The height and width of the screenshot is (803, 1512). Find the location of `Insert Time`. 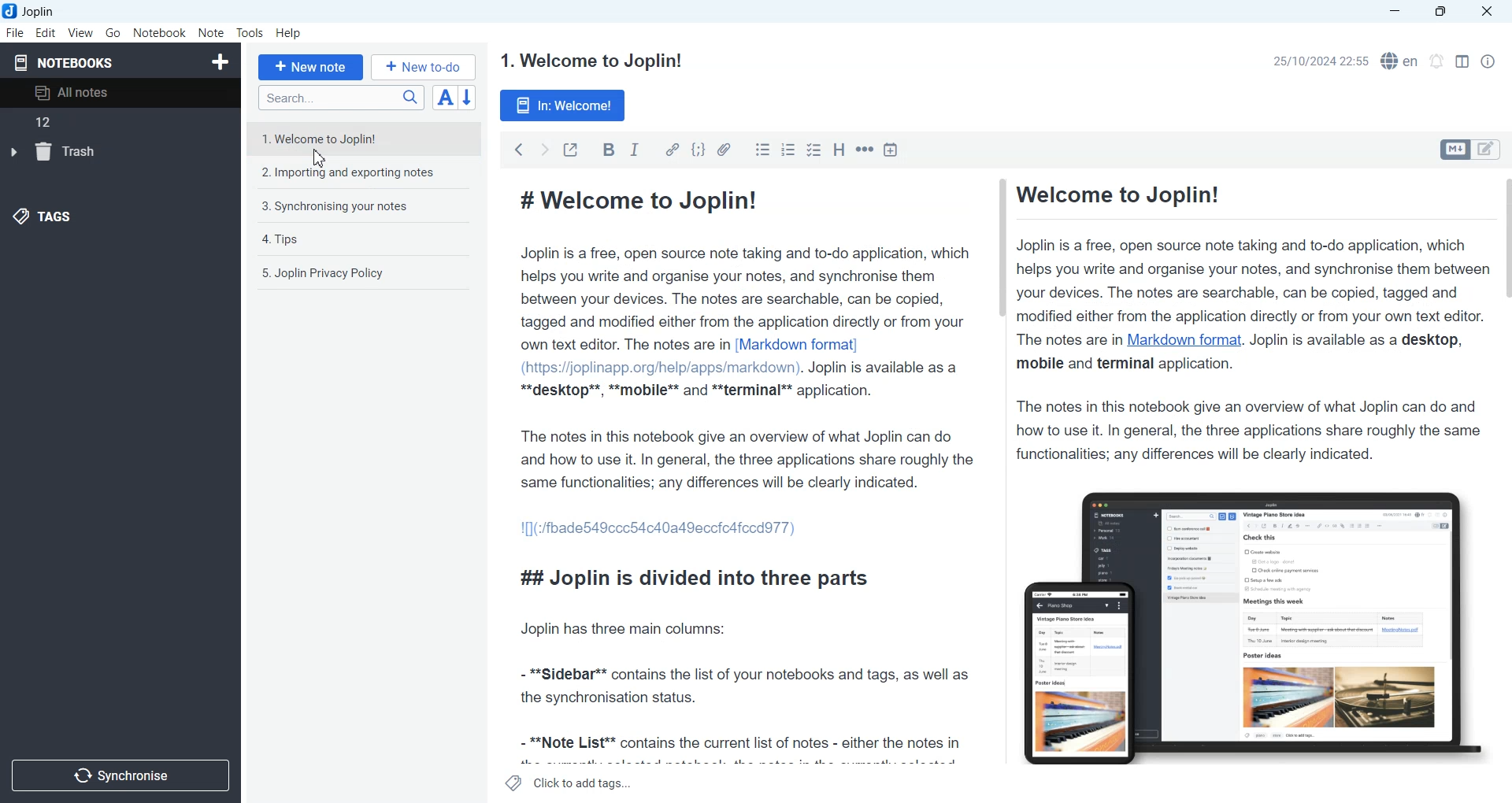

Insert Time is located at coordinates (891, 150).